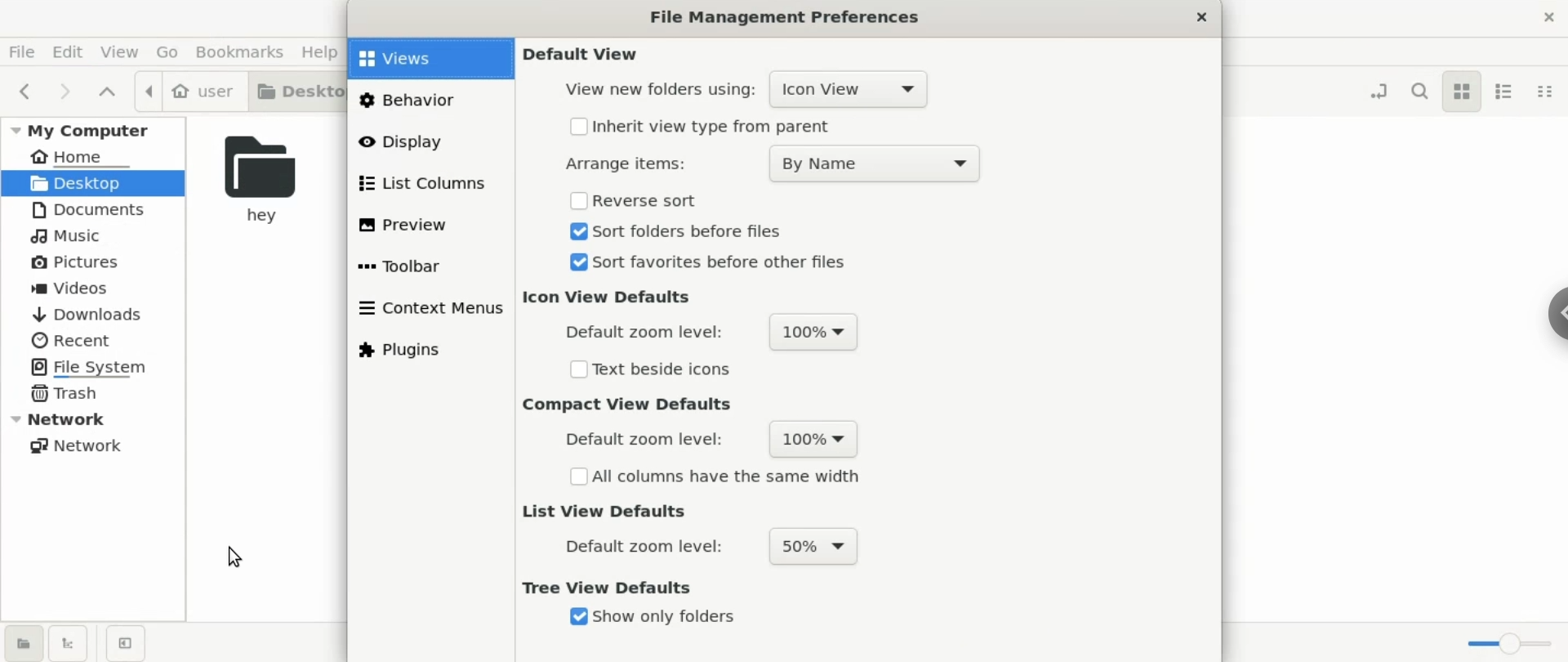 The image size is (1568, 662). What do you see at coordinates (817, 439) in the screenshot?
I see `100%` at bounding box center [817, 439].